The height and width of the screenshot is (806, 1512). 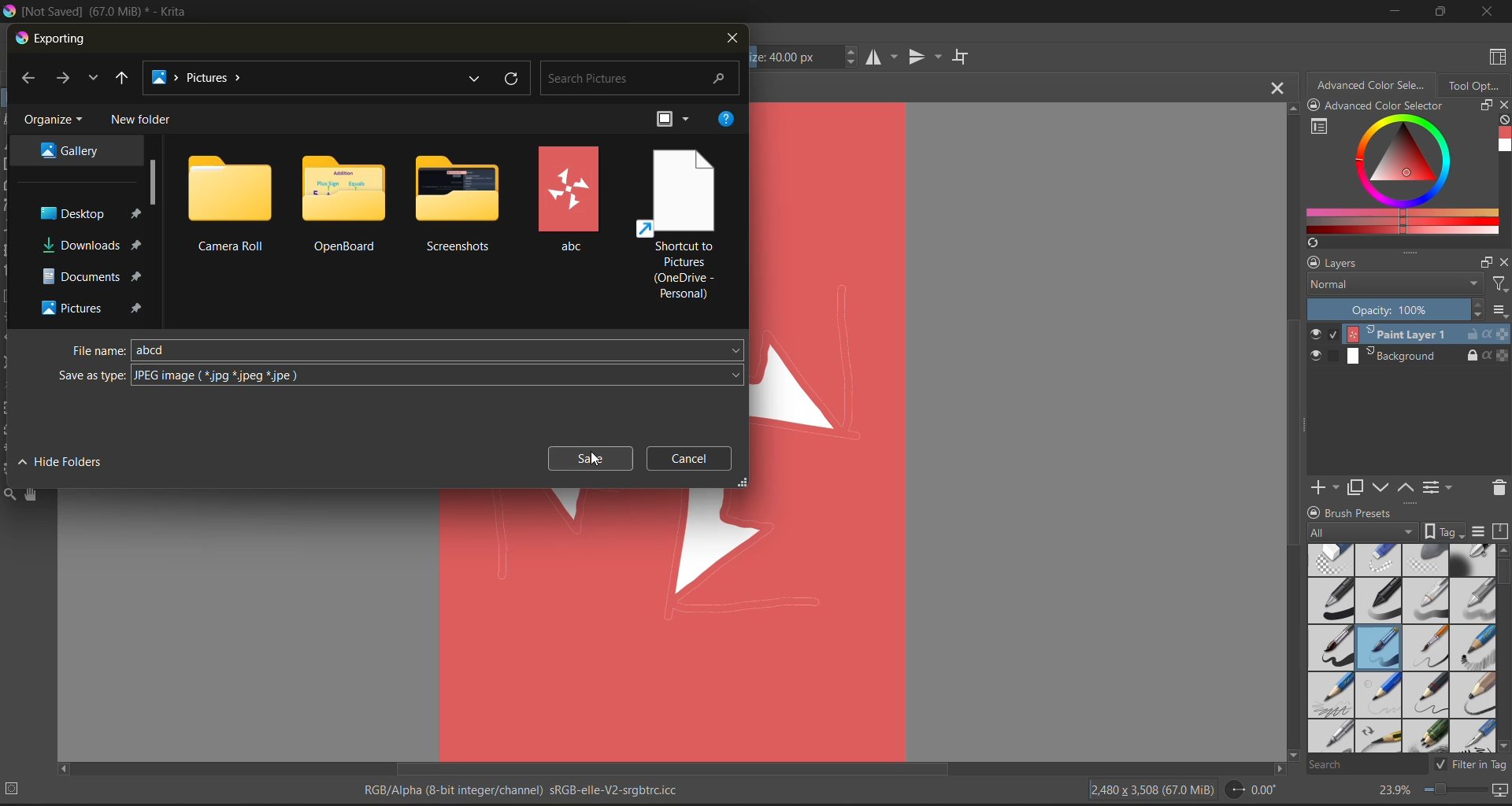 What do you see at coordinates (230, 202) in the screenshot?
I see `folders and files` at bounding box center [230, 202].